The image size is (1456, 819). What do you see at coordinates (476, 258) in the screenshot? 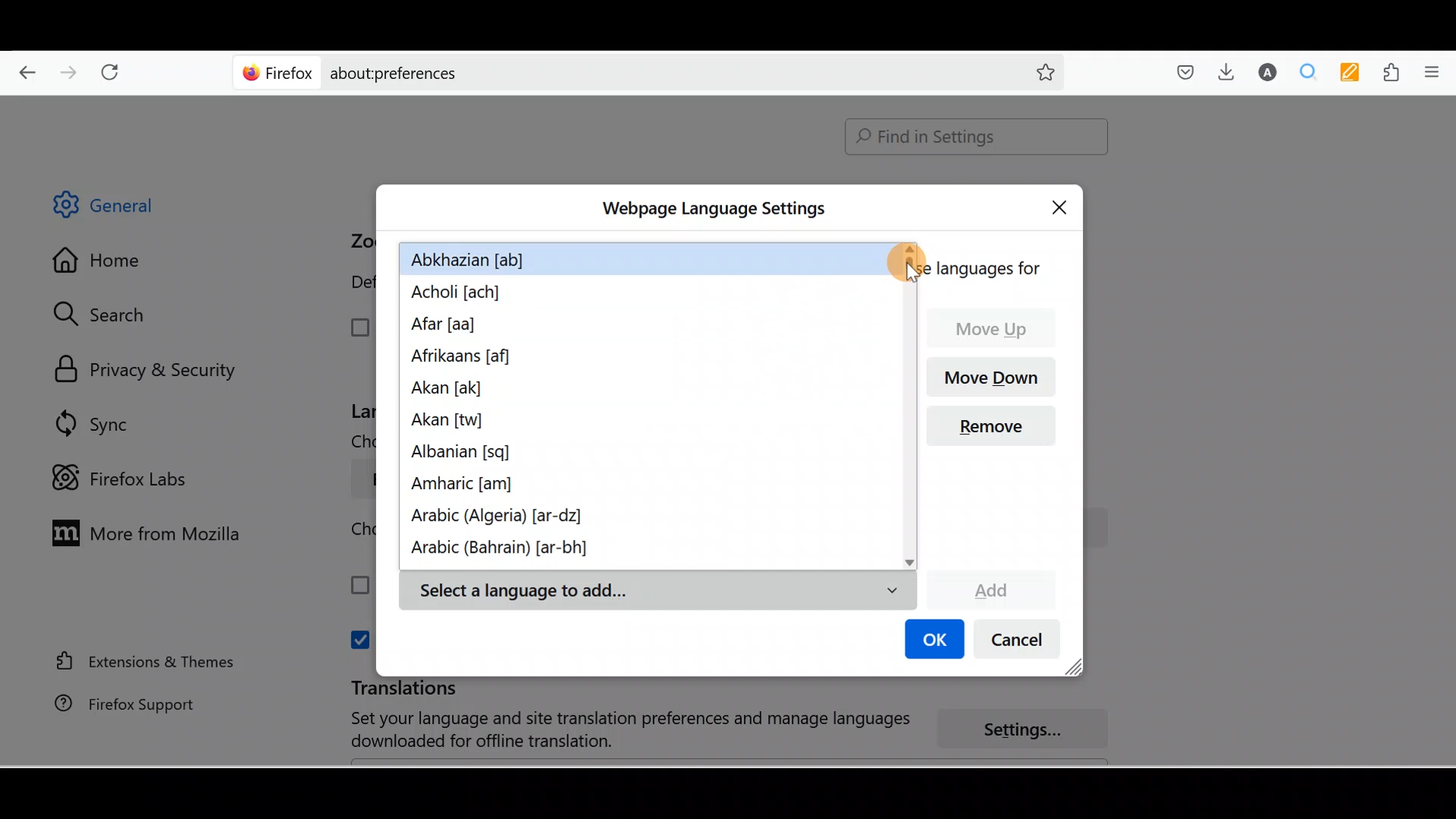
I see `Abkhazian [ab]` at bounding box center [476, 258].